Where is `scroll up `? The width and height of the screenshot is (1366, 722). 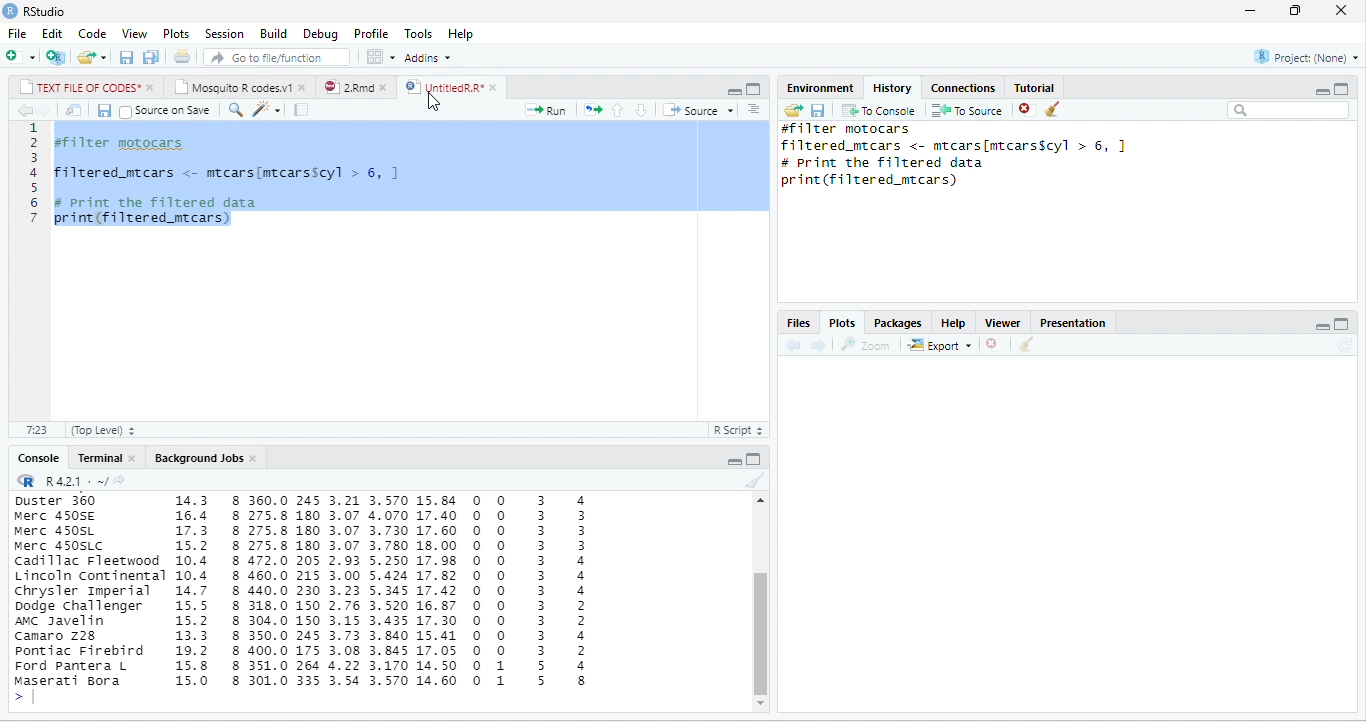
scroll up  is located at coordinates (761, 501).